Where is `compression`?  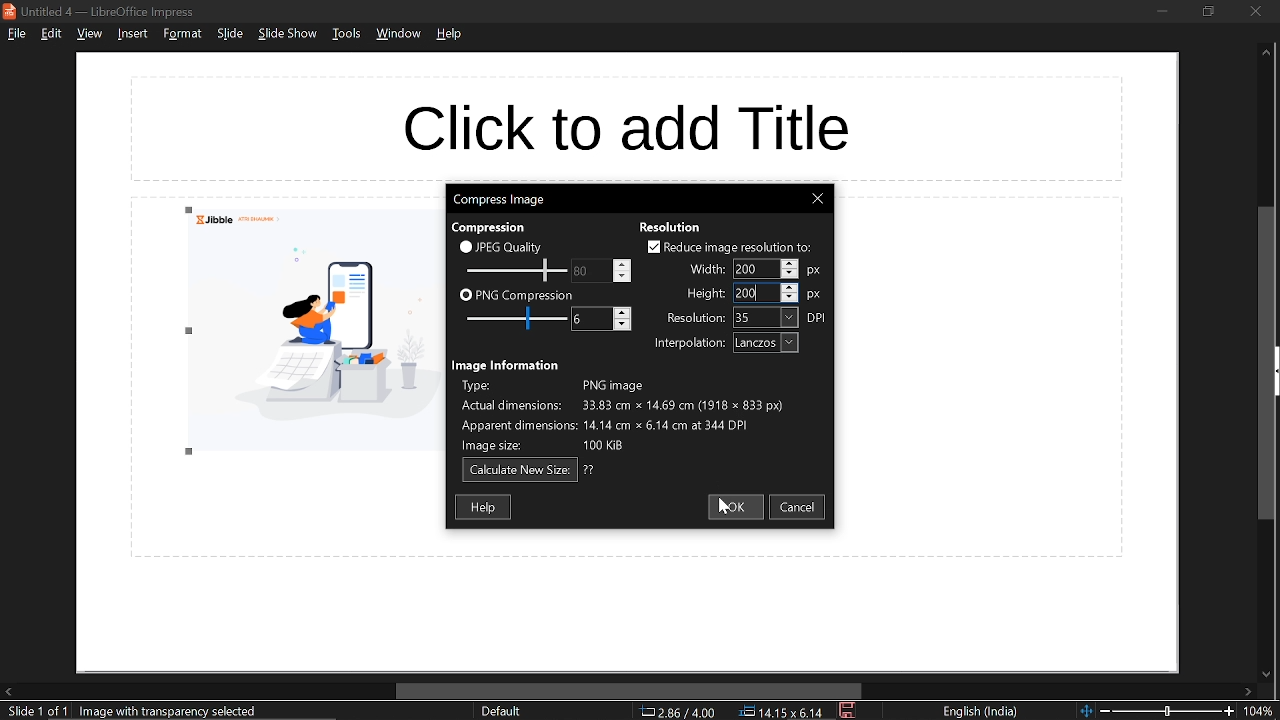
compression is located at coordinates (487, 228).